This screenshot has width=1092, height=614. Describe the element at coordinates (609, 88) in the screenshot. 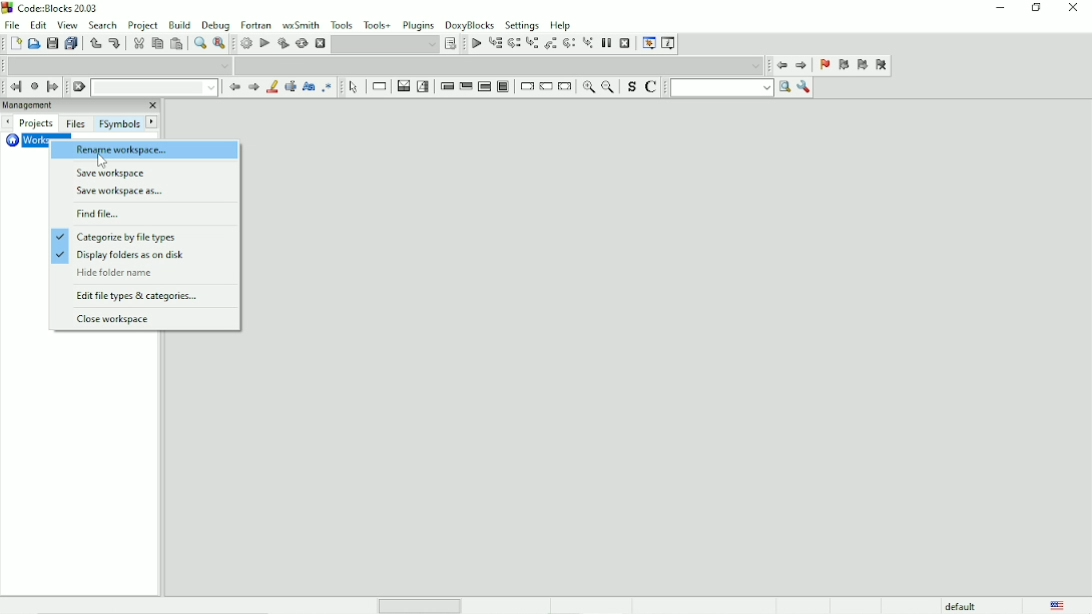

I see `Zoom out` at that location.